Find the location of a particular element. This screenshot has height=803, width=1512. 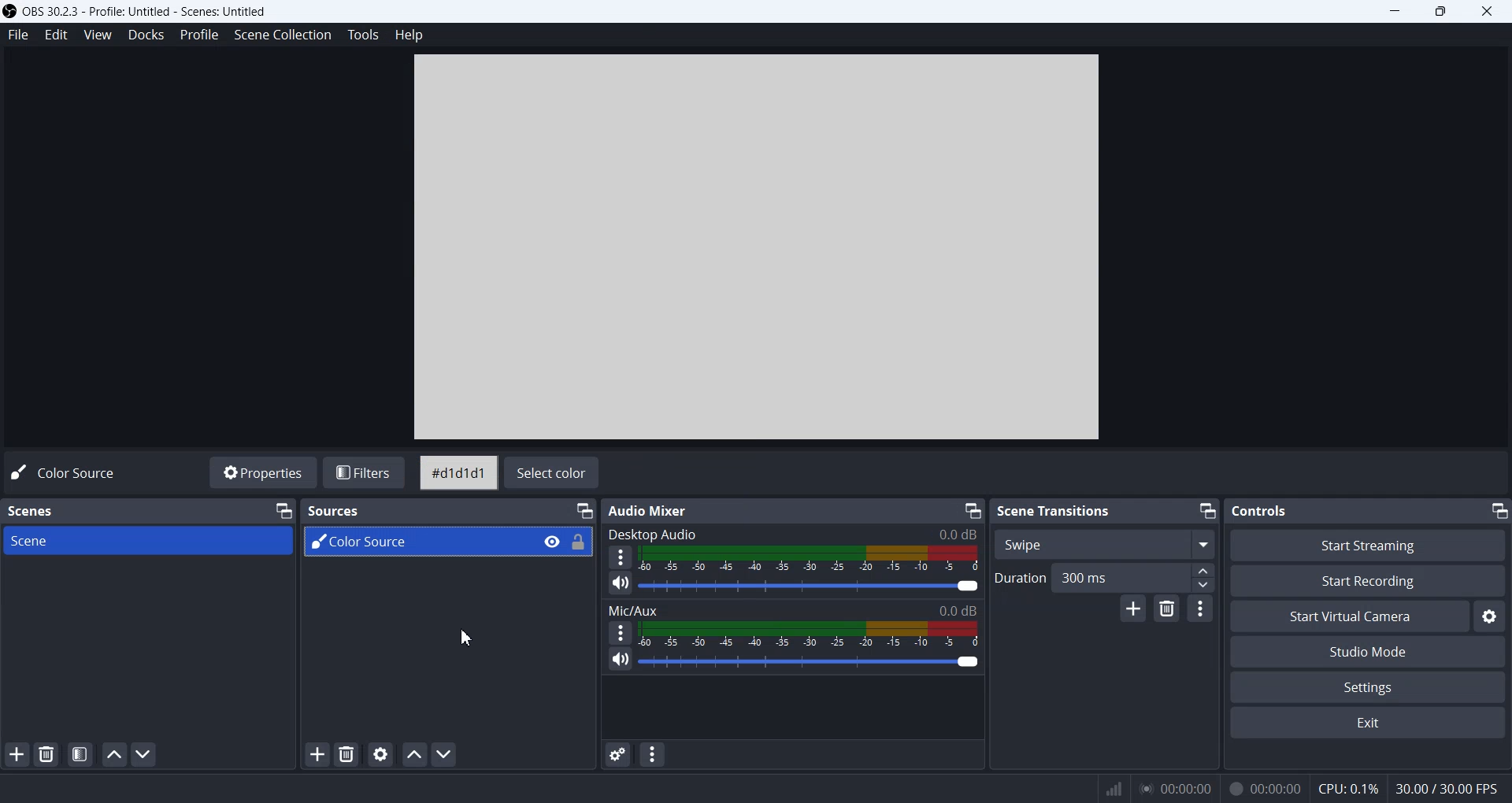

Eye is located at coordinates (553, 542).